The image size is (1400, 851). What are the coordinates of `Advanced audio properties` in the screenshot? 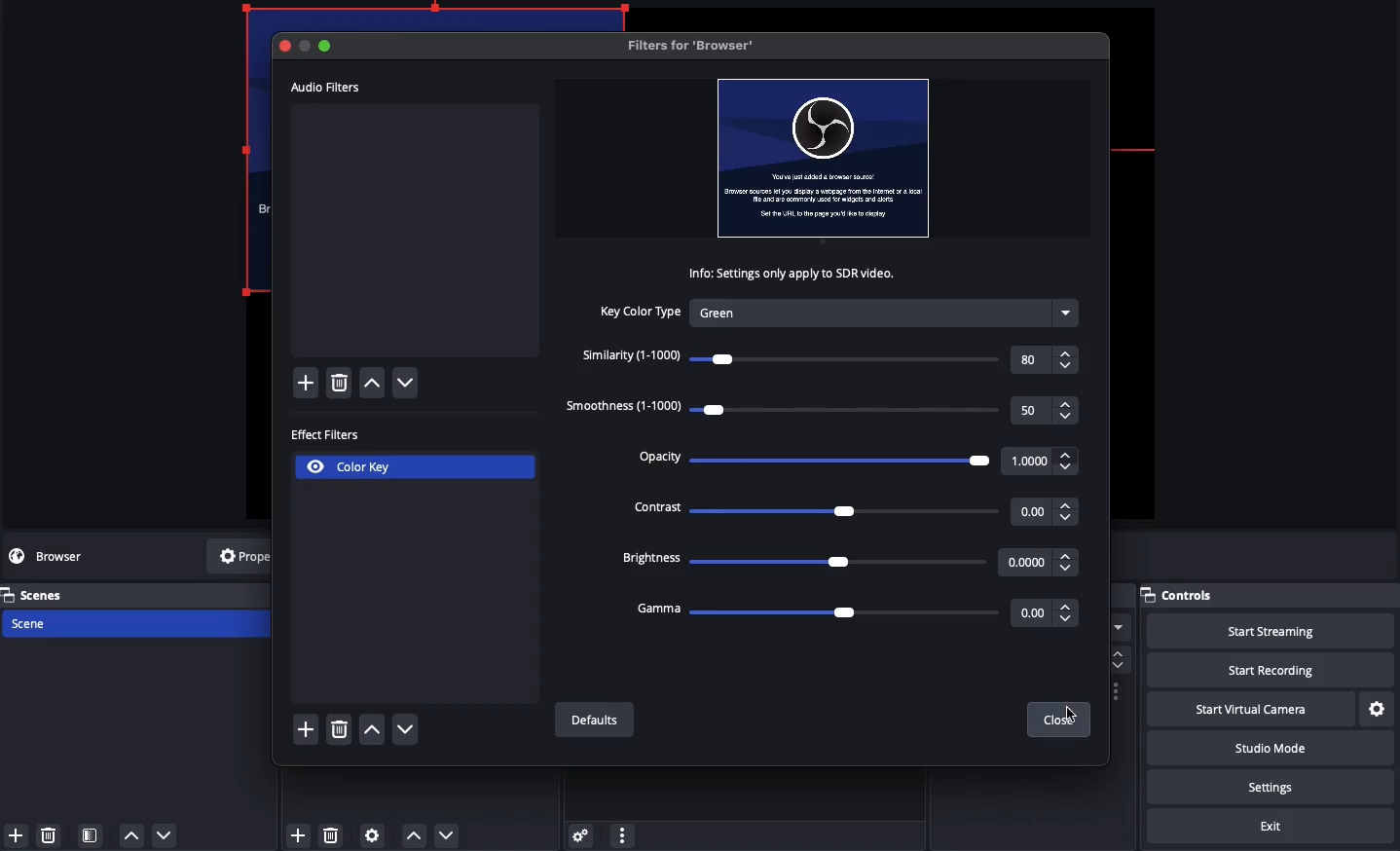 It's located at (583, 836).